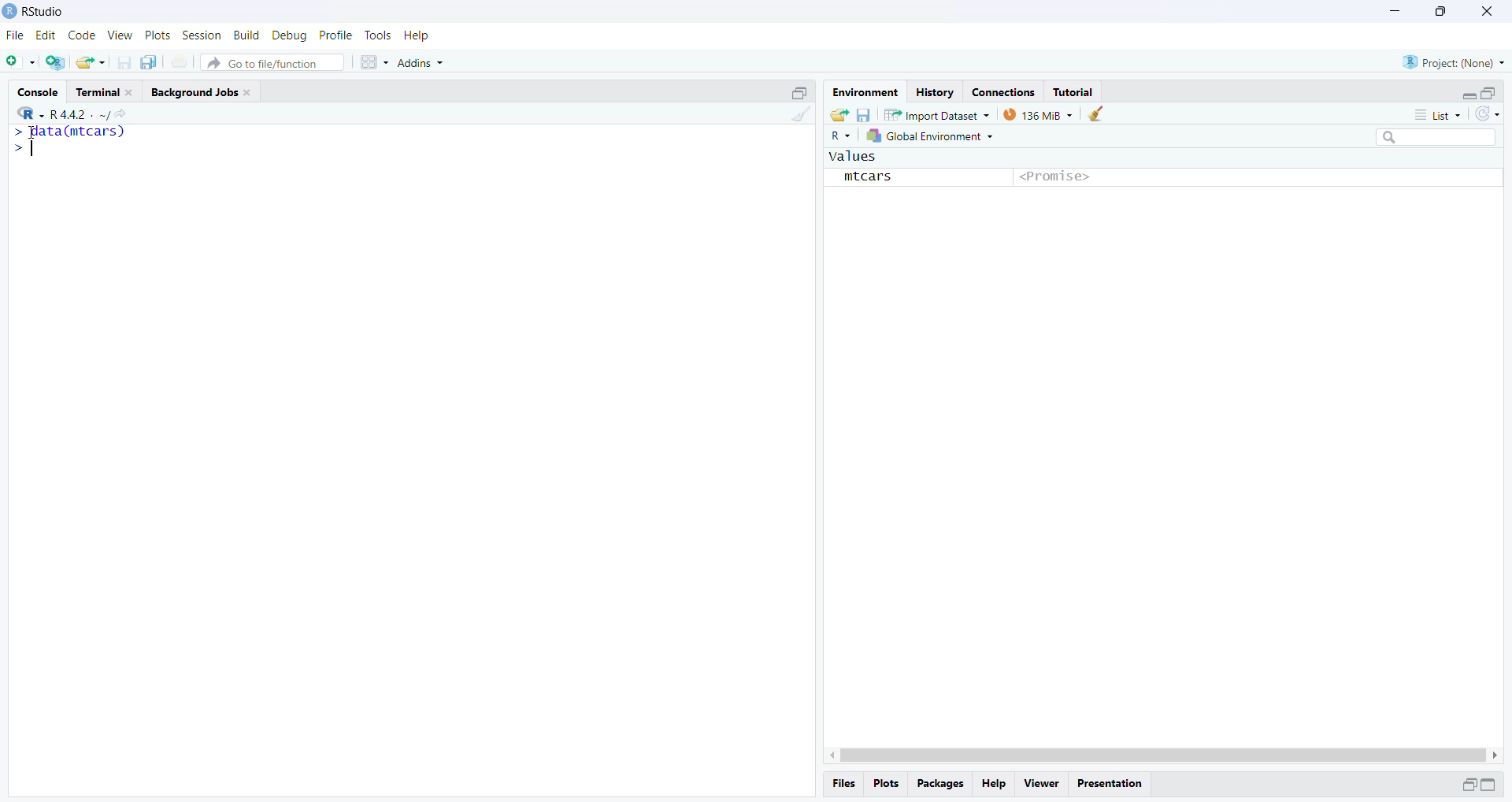 This screenshot has width=1512, height=802. I want to click on Maximize, so click(1489, 91).